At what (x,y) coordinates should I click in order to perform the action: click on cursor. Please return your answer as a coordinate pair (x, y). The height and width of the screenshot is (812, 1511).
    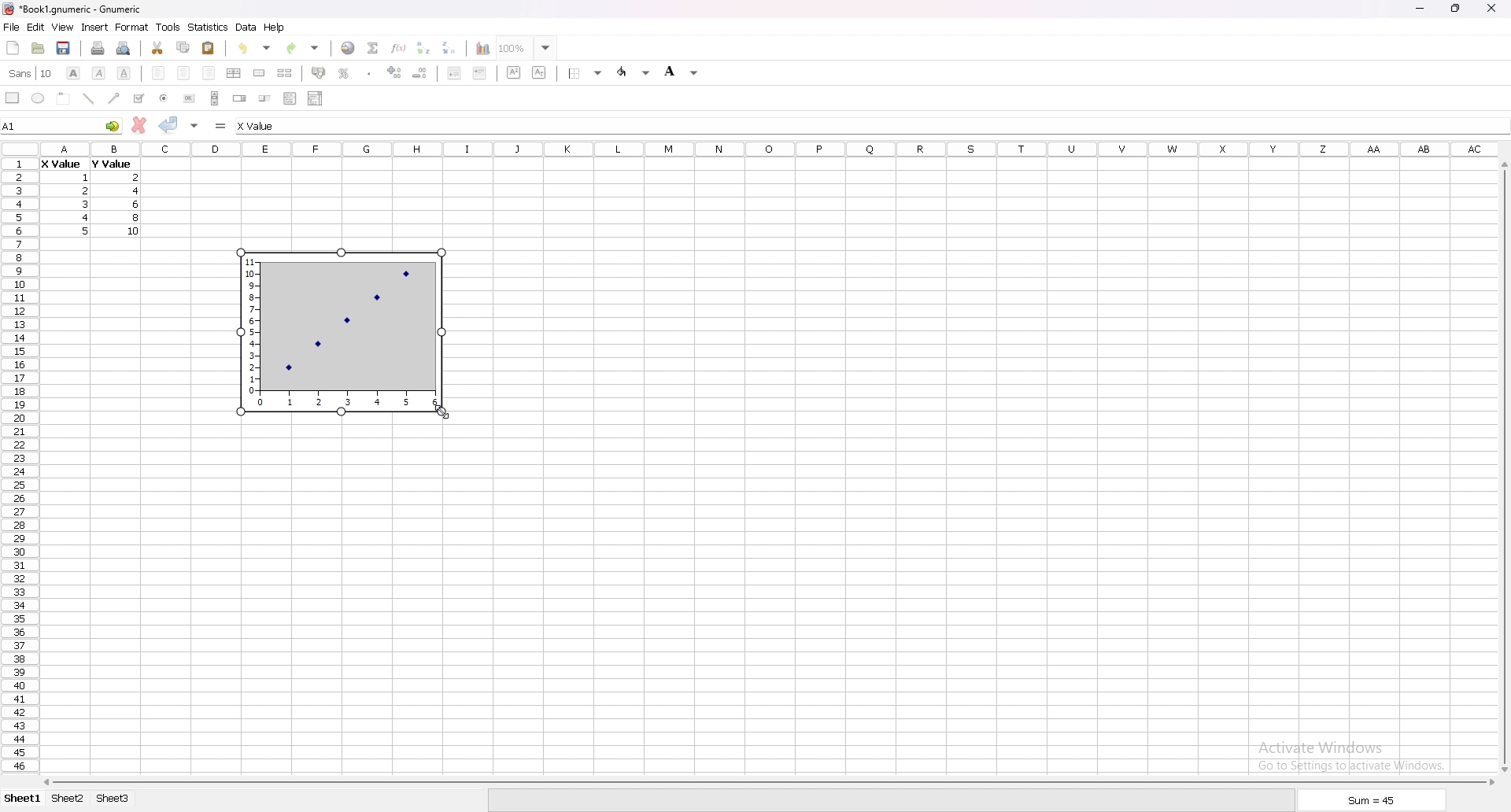
    Looking at the image, I should click on (453, 413).